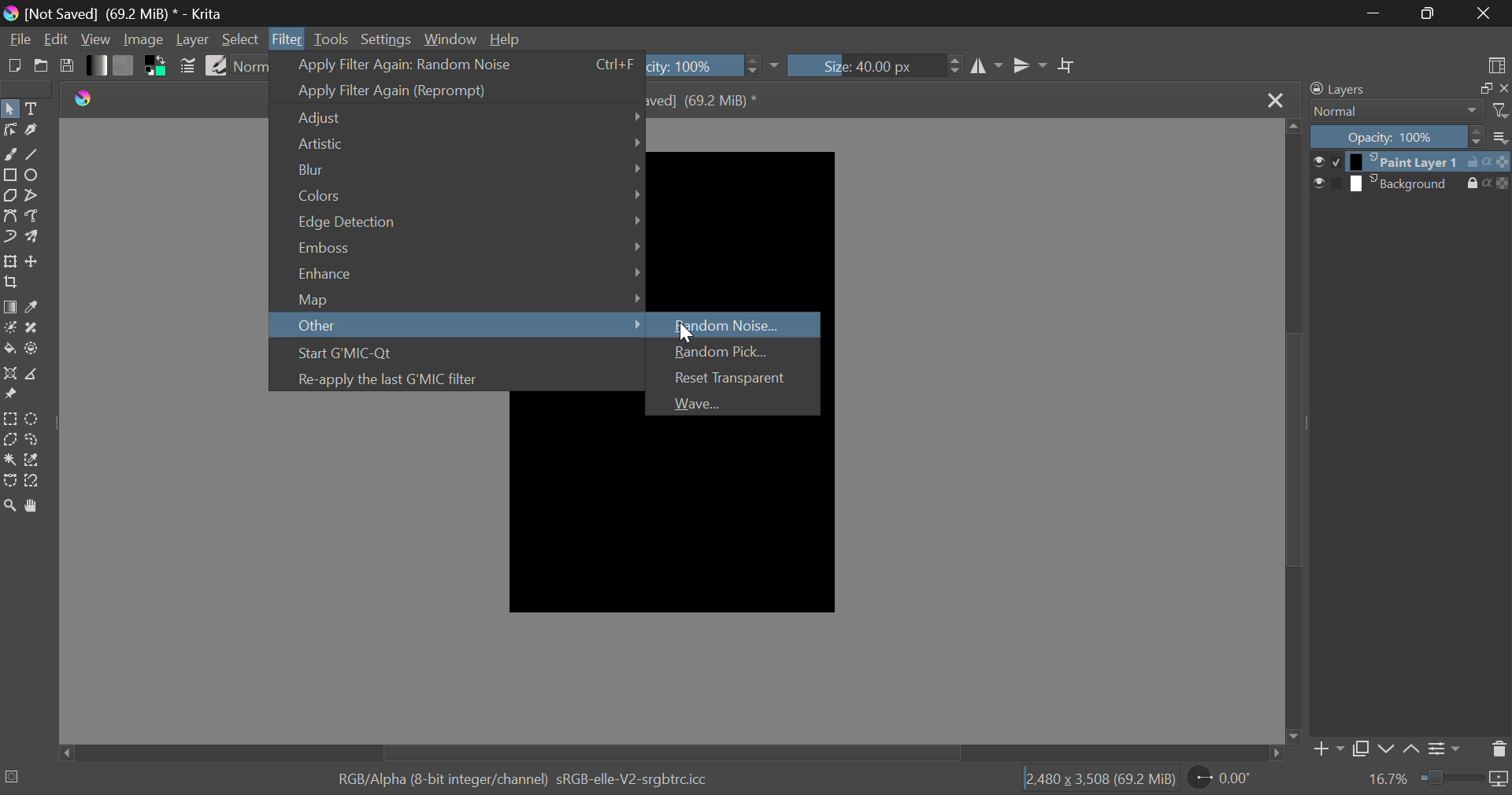 The height and width of the screenshot is (795, 1512). What do you see at coordinates (1326, 749) in the screenshot?
I see `Add Layer` at bounding box center [1326, 749].